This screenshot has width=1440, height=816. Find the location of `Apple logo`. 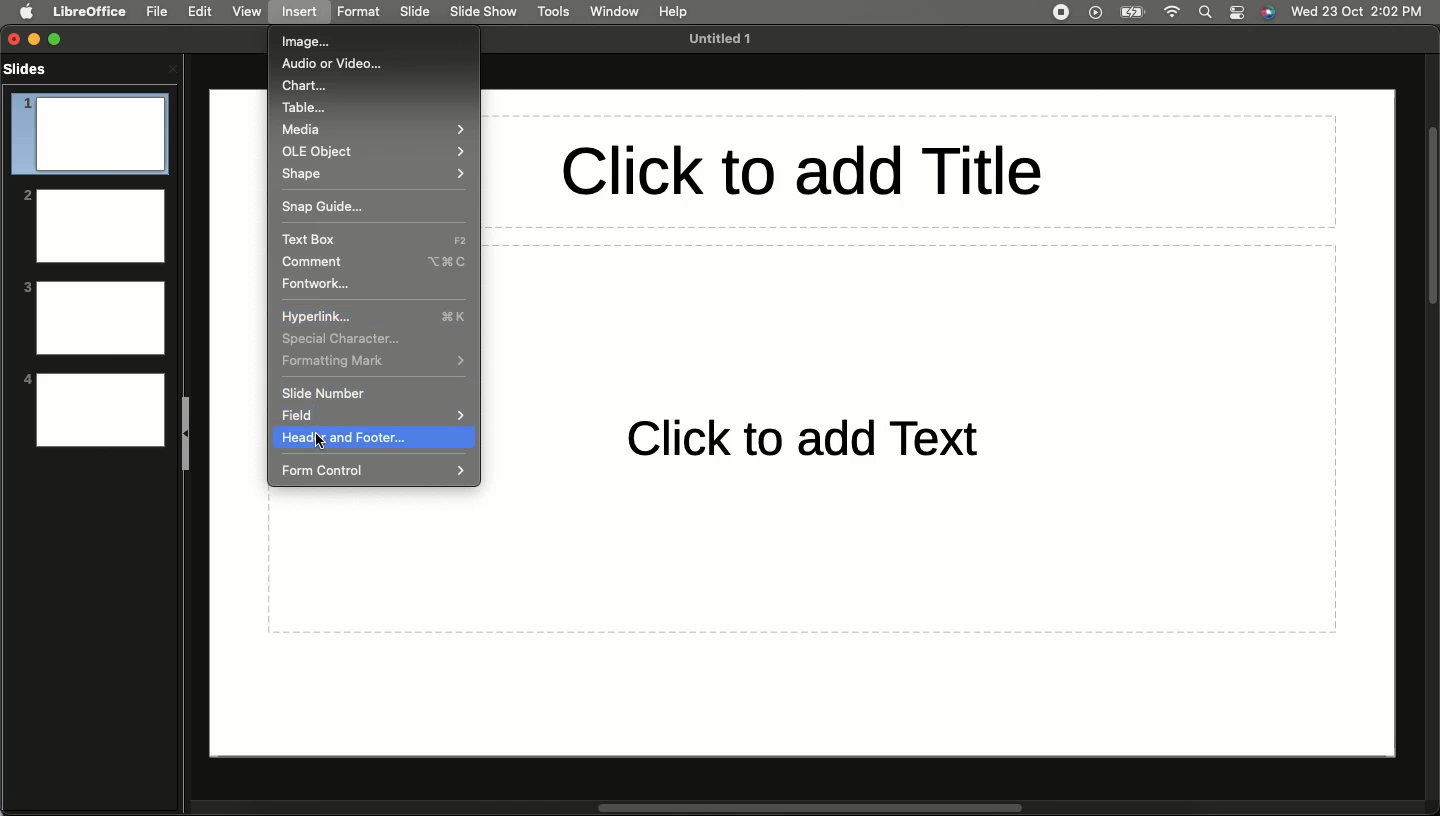

Apple logo is located at coordinates (27, 12).